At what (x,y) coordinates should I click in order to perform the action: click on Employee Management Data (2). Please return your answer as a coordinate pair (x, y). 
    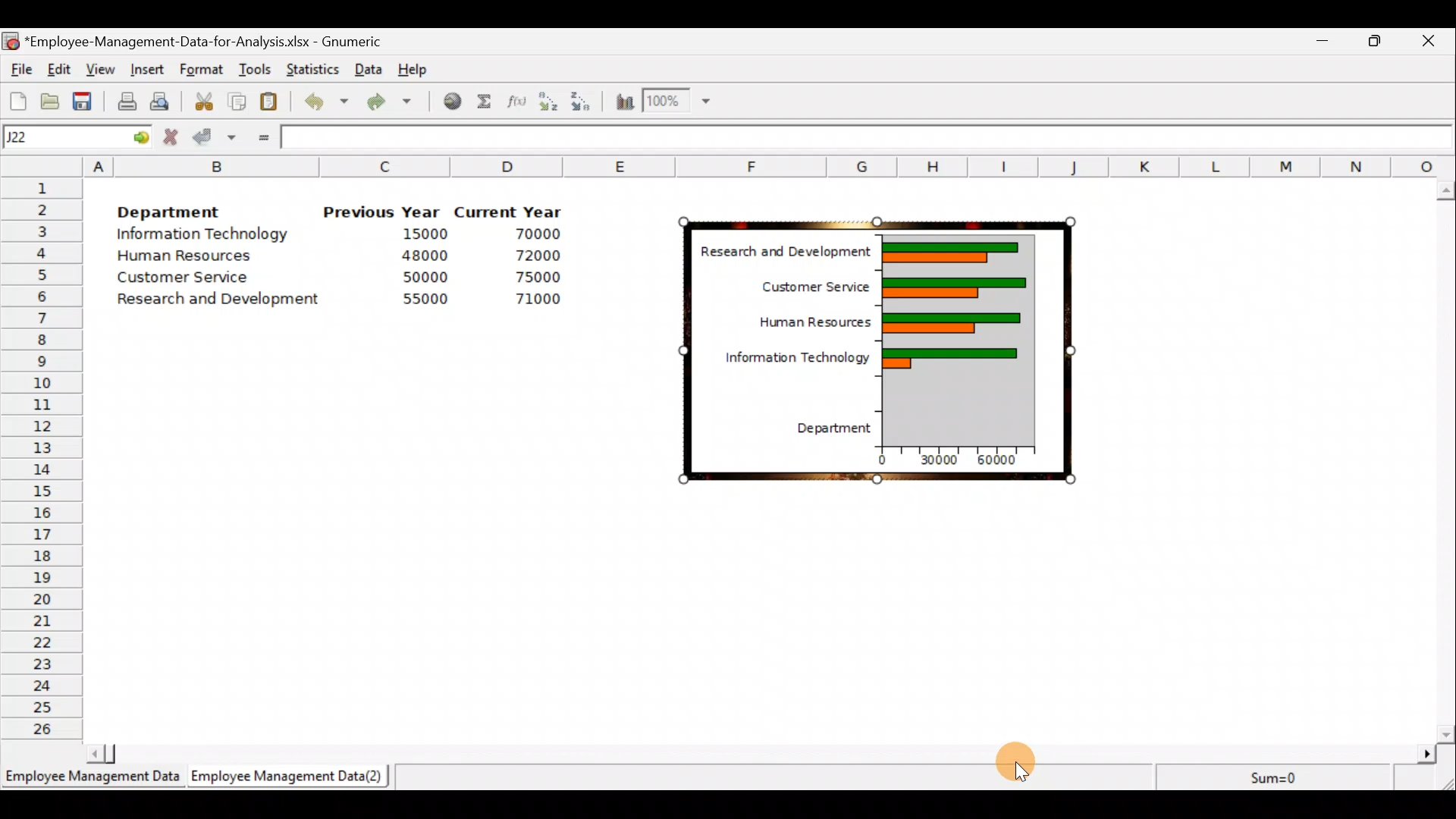
    Looking at the image, I should click on (290, 777).